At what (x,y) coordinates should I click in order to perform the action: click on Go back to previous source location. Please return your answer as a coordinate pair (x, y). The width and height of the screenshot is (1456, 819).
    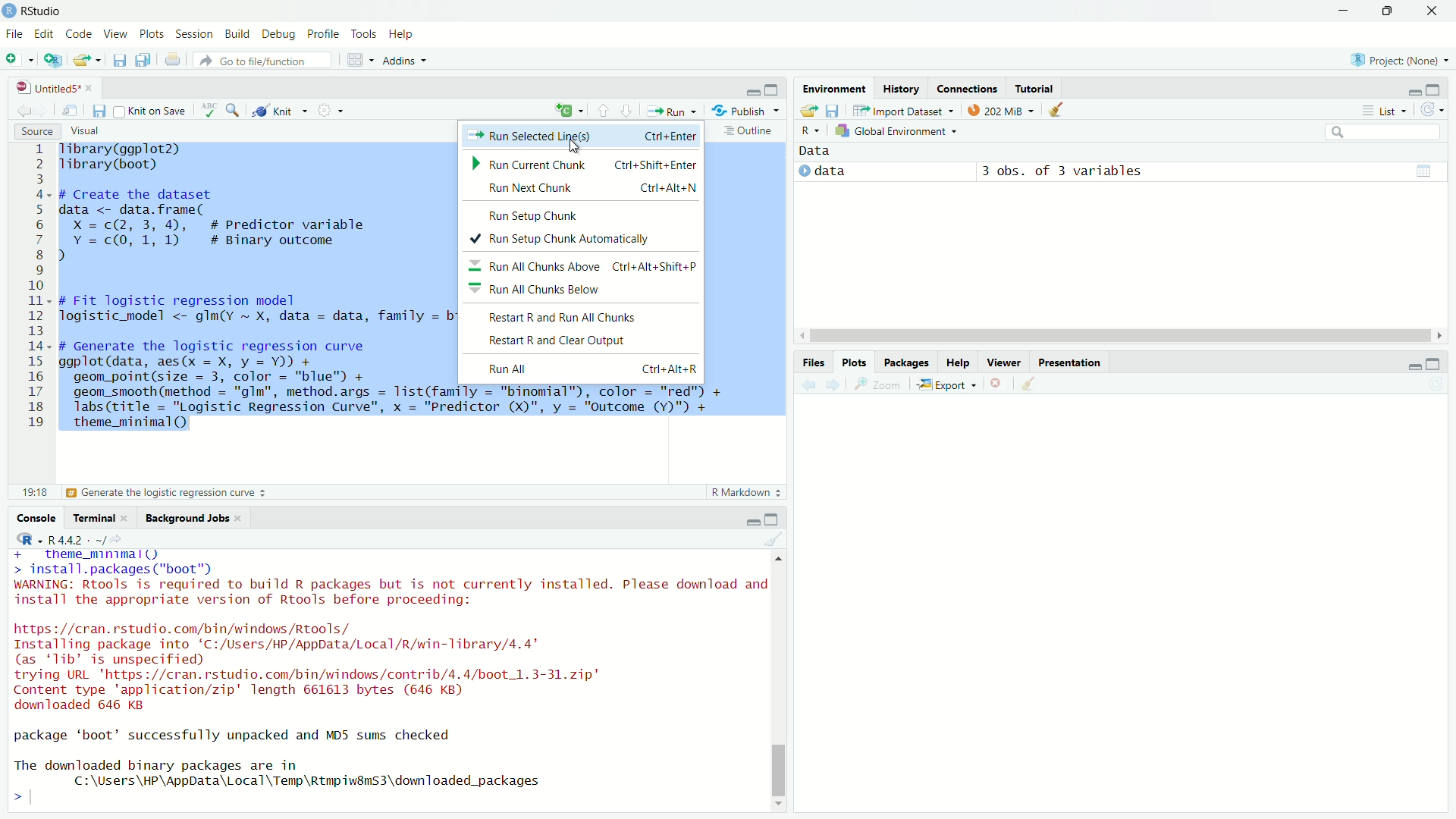
    Looking at the image, I should click on (24, 111).